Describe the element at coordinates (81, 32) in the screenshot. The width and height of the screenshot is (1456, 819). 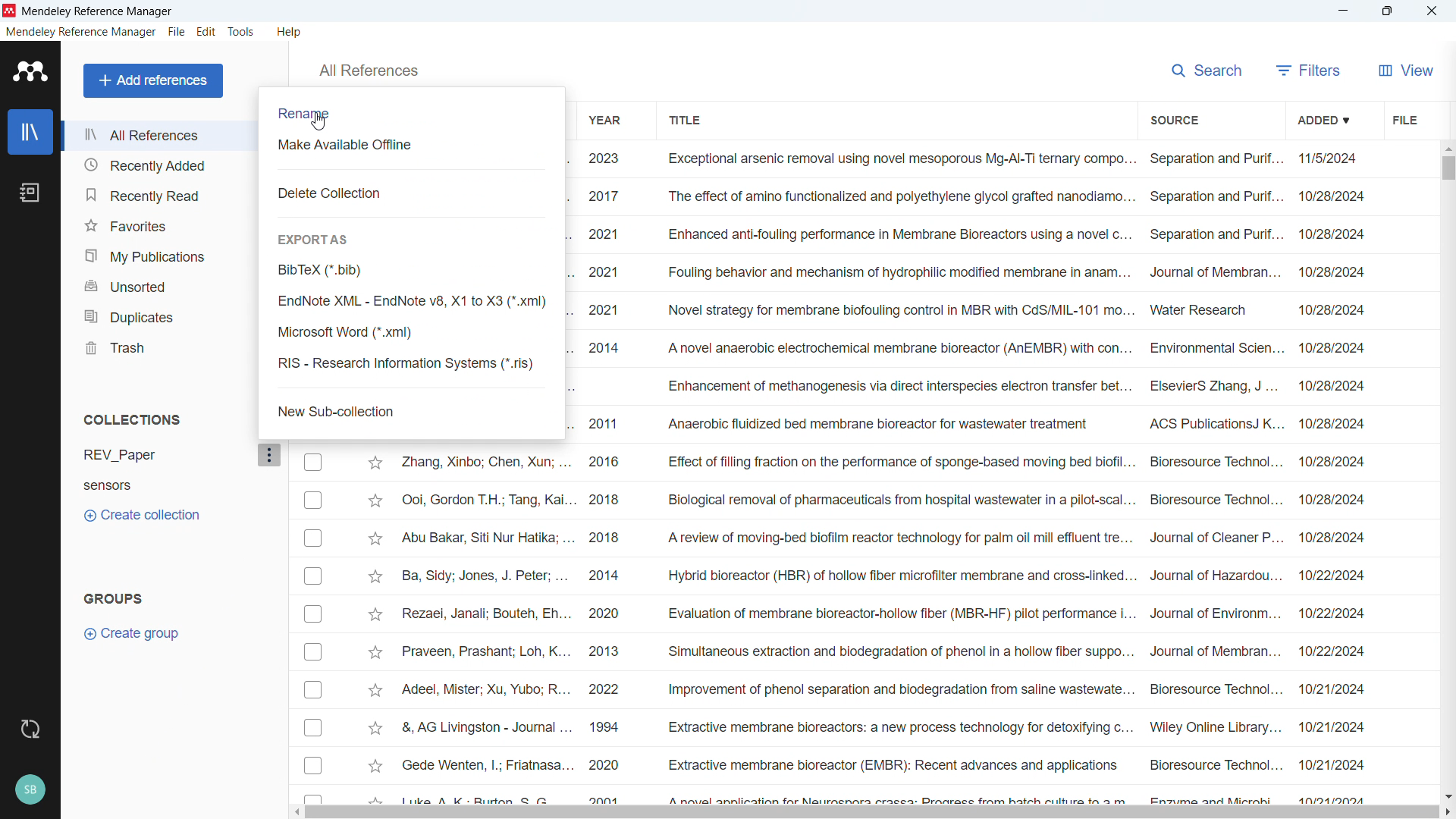
I see `Mendeley reference manager ` at that location.